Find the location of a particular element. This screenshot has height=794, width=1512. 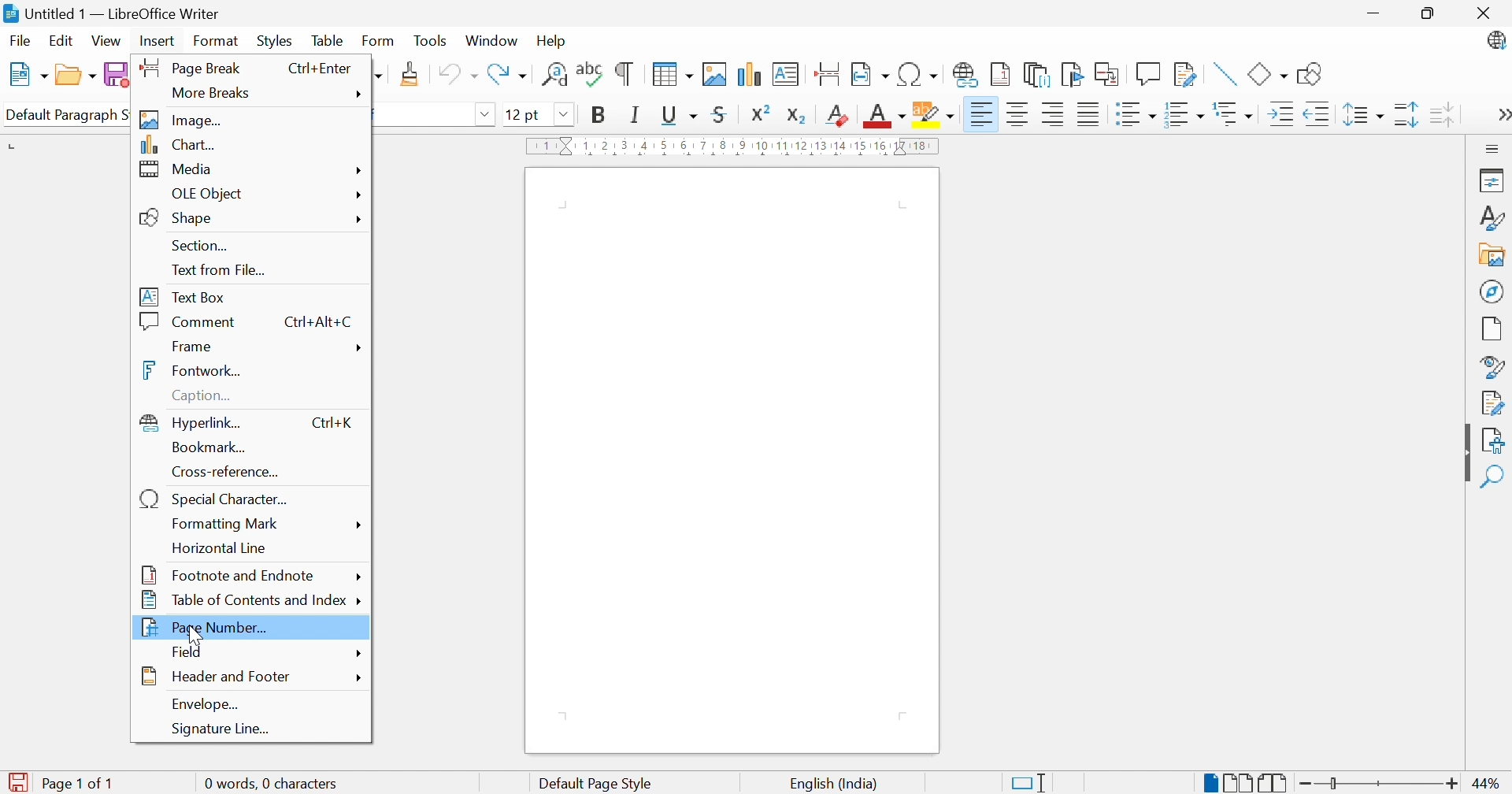

Gallery is located at coordinates (1493, 254).